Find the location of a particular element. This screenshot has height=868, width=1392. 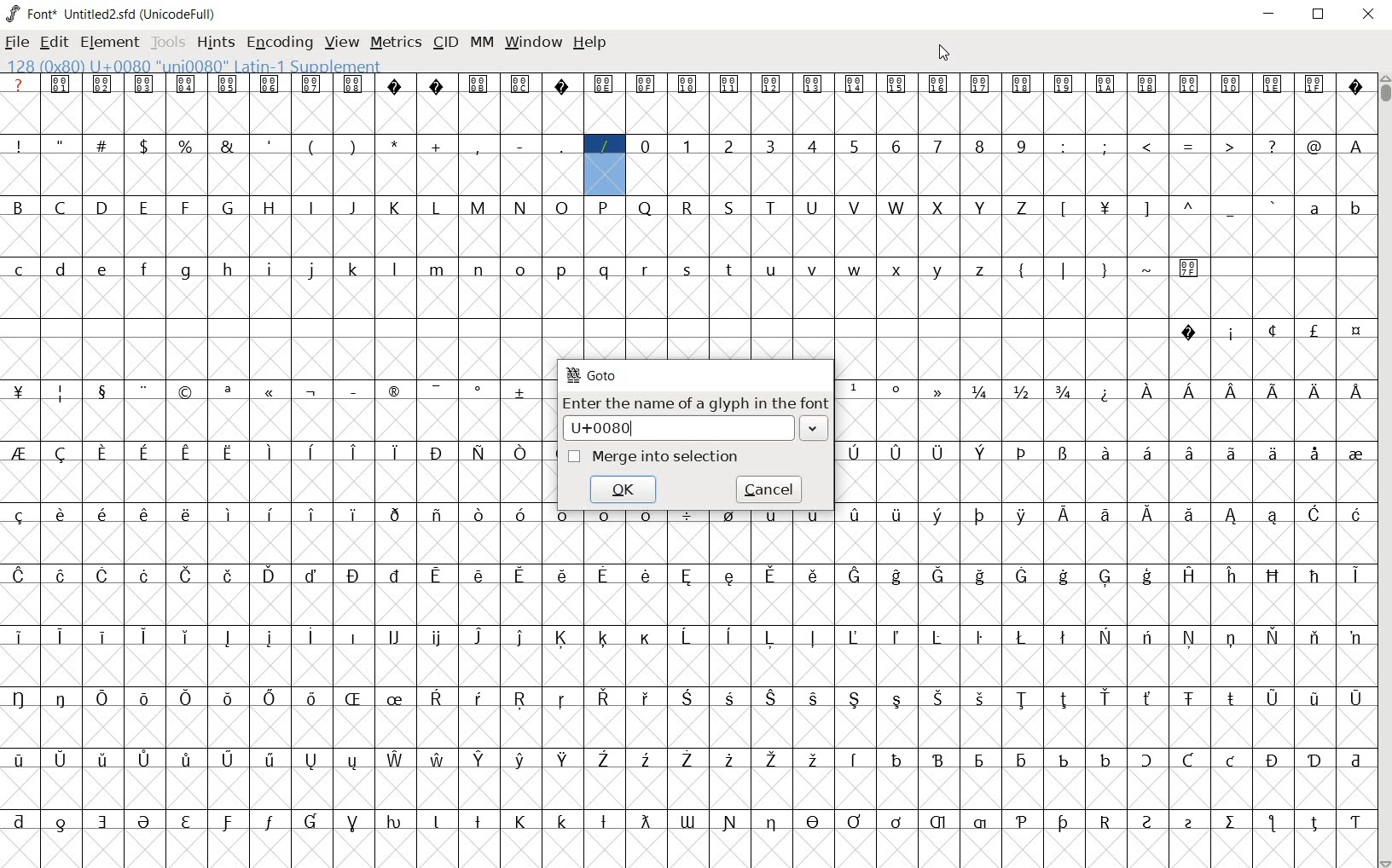

glyph is located at coordinates (1274, 205).